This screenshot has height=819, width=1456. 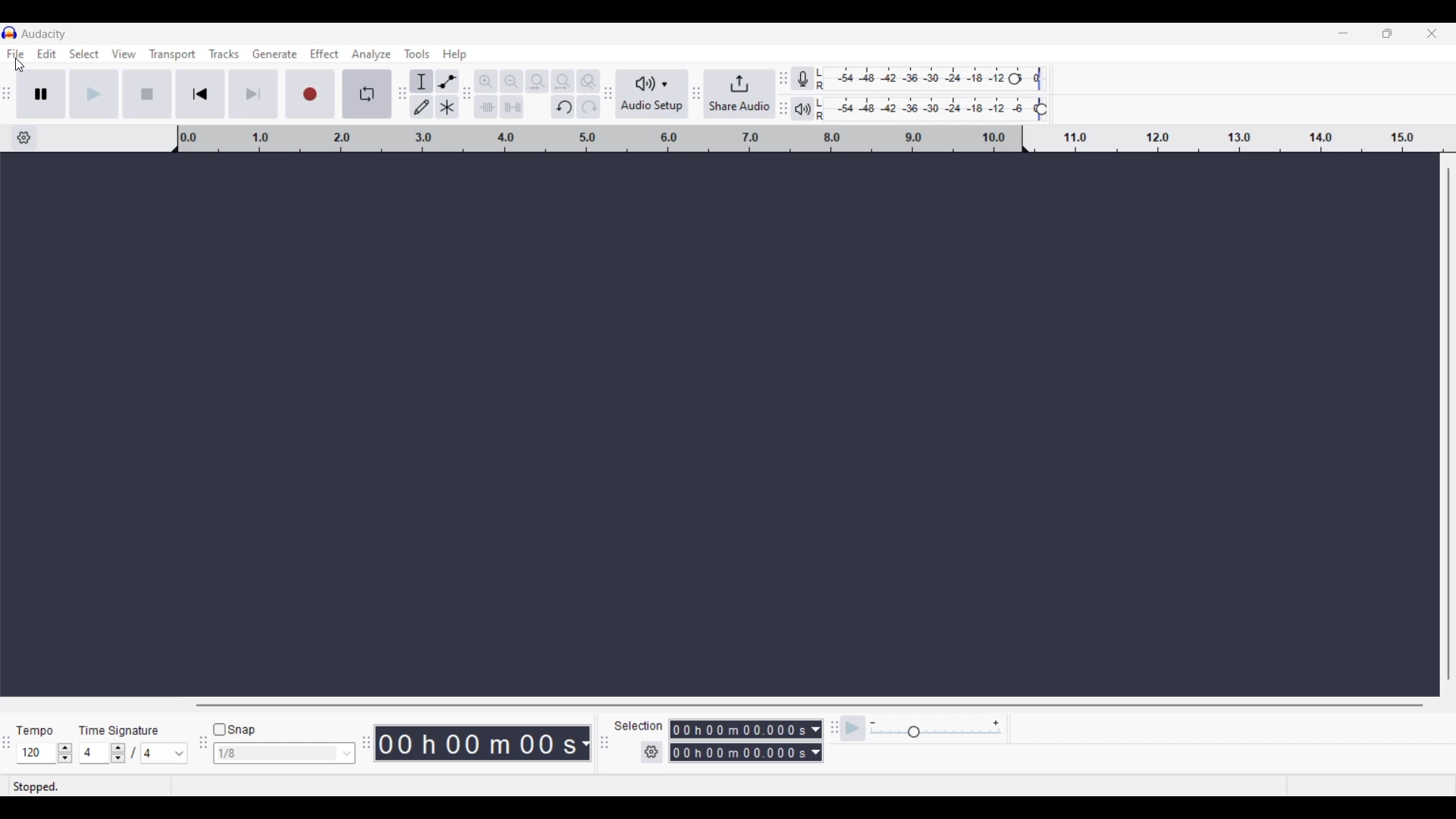 I want to click on Skip/Select to start, so click(x=201, y=94).